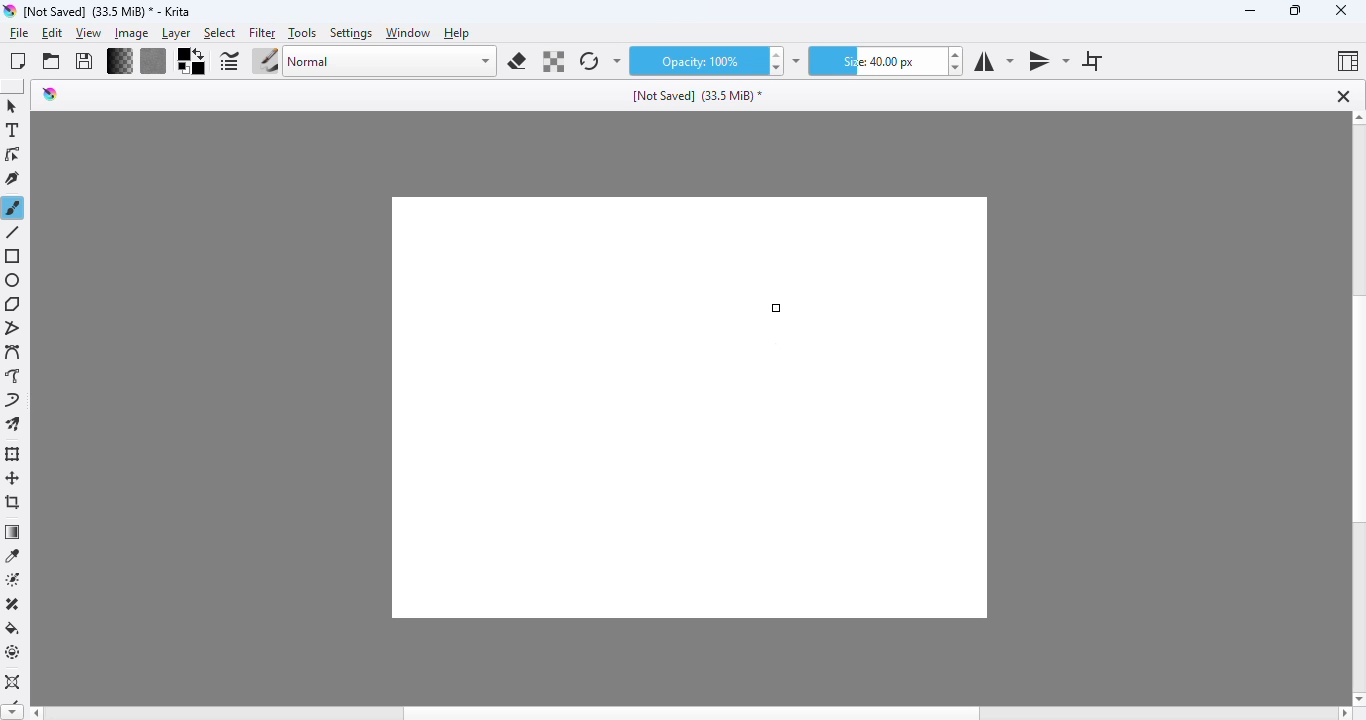 The height and width of the screenshot is (720, 1366). I want to click on close tab, so click(1343, 96).